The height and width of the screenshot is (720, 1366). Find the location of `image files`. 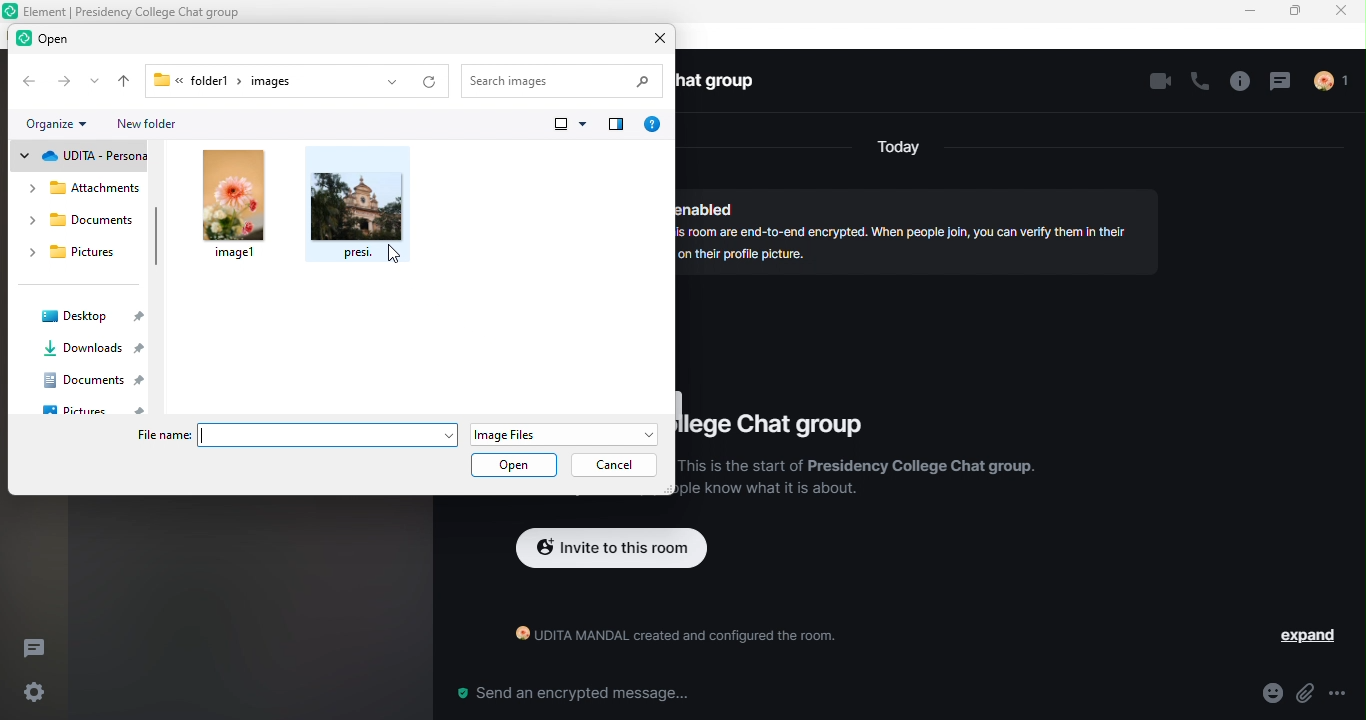

image files is located at coordinates (562, 430).